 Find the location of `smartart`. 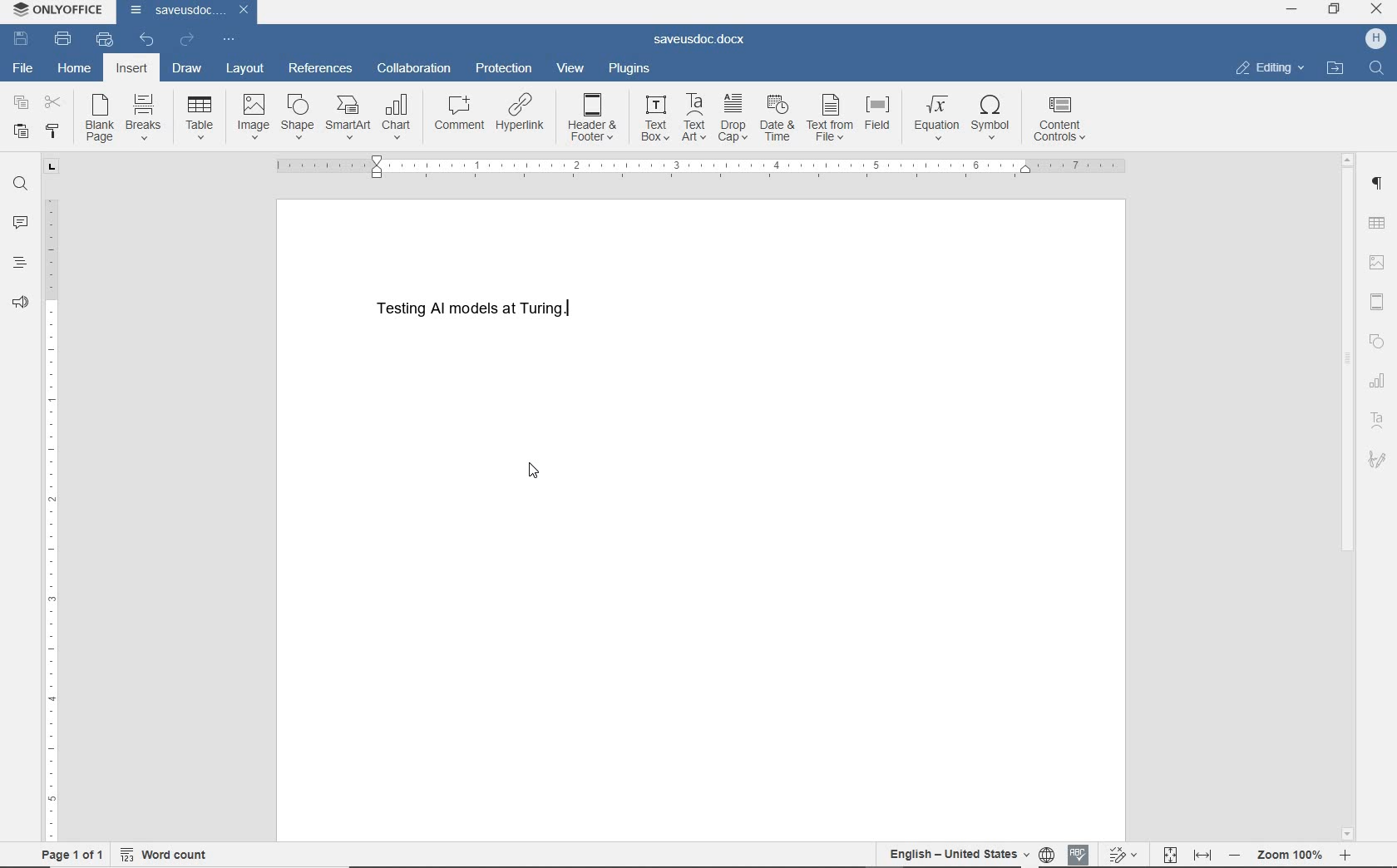

smartart is located at coordinates (348, 116).